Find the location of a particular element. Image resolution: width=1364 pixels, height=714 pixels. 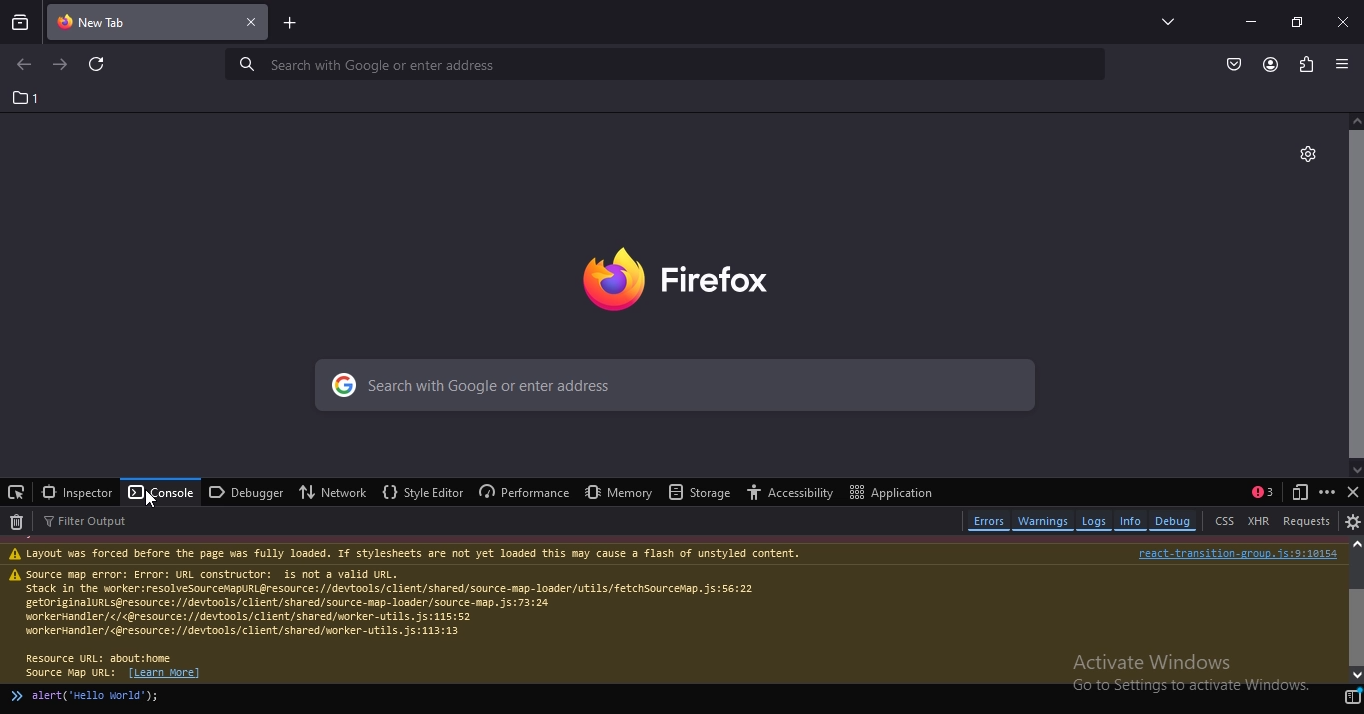

close is located at coordinates (1344, 21).